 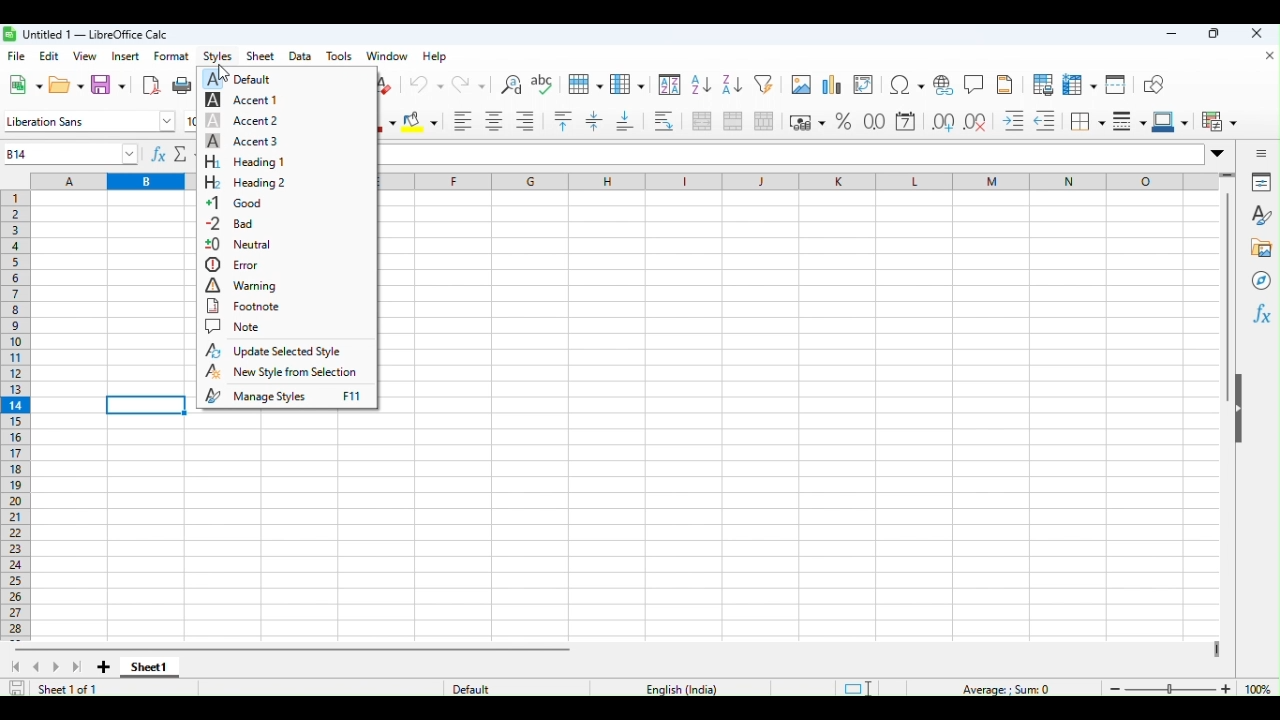 What do you see at coordinates (344, 54) in the screenshot?
I see `Tools` at bounding box center [344, 54].